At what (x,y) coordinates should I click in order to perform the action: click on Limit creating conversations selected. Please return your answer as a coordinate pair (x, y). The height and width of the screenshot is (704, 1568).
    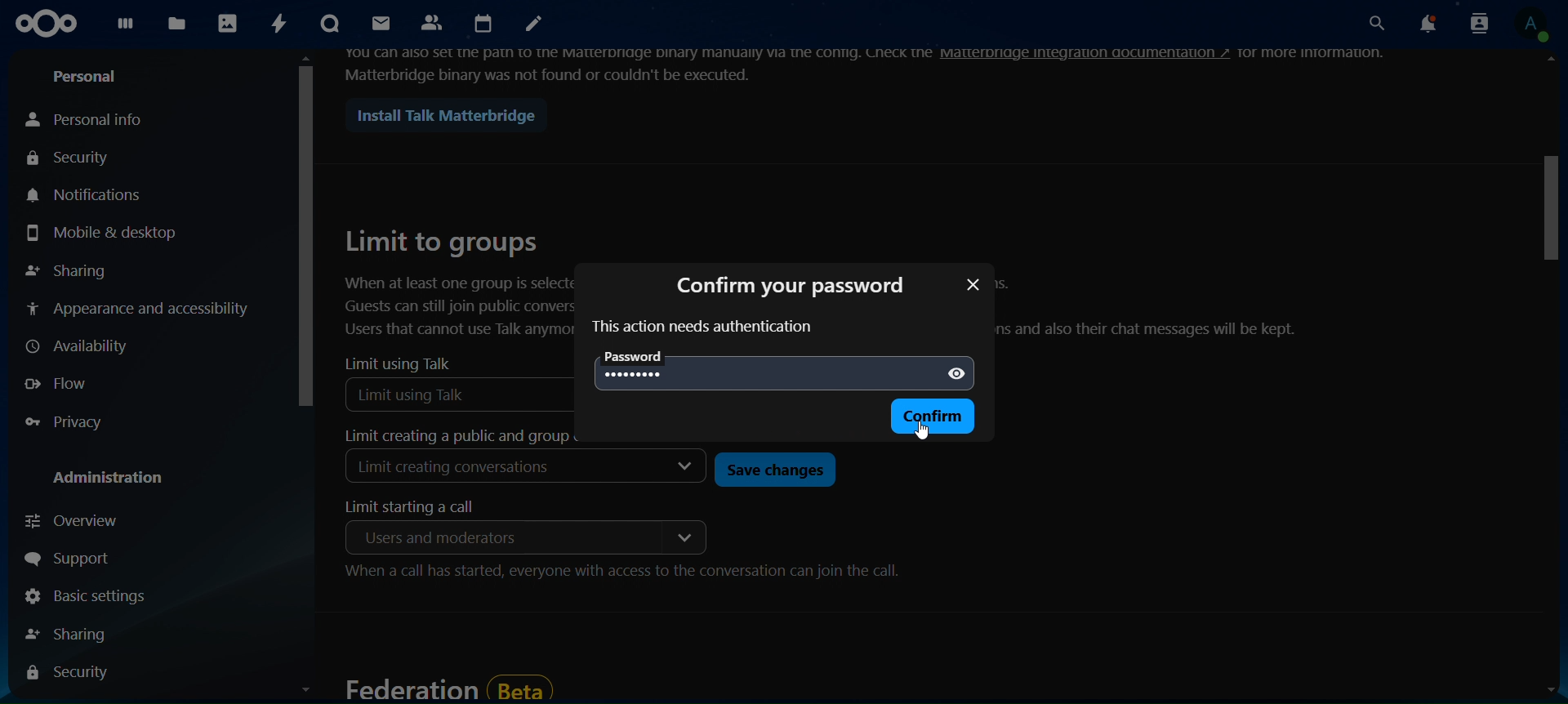
    Looking at the image, I should click on (459, 470).